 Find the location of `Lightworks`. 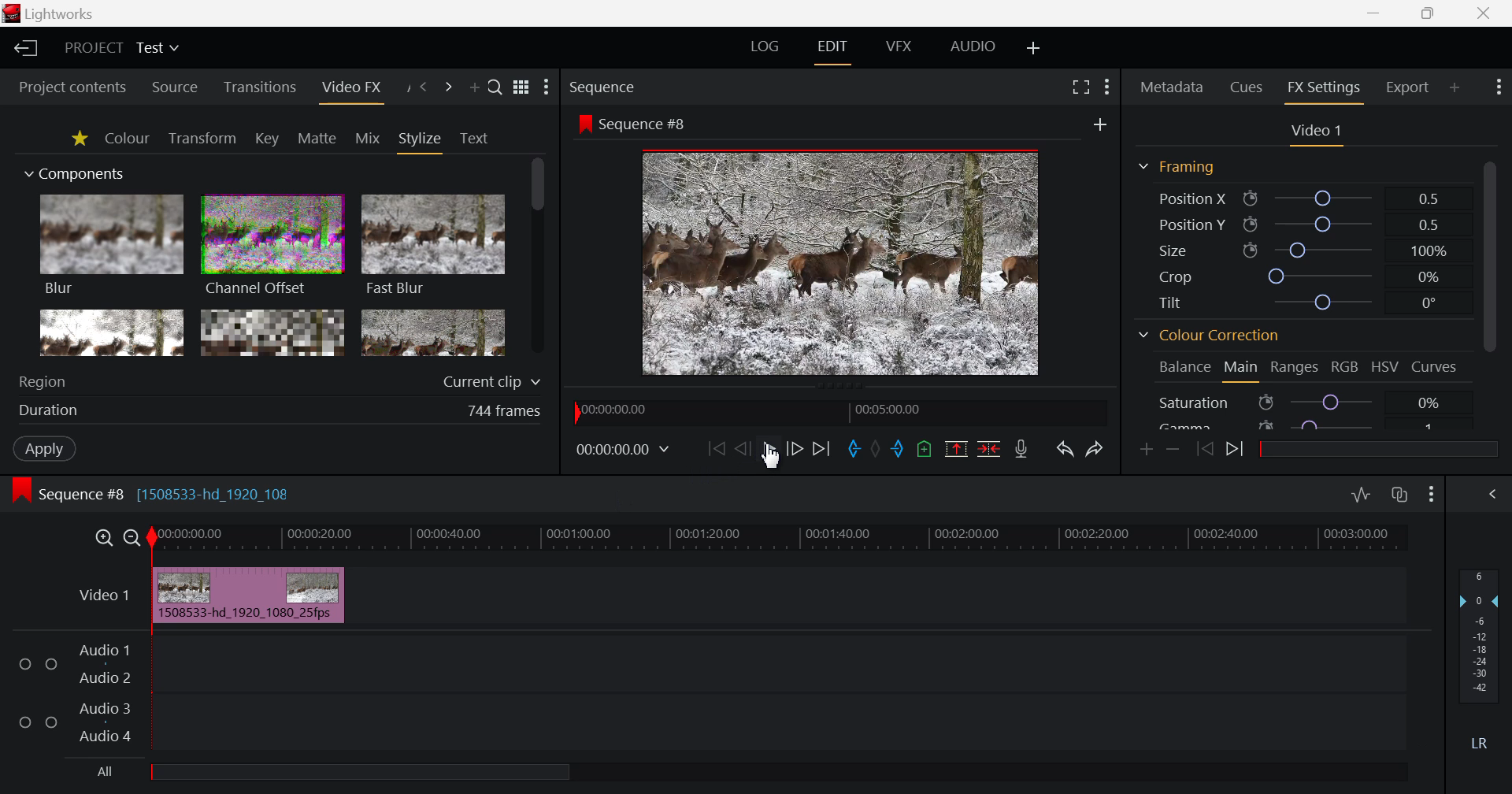

Lightworks is located at coordinates (52, 13).